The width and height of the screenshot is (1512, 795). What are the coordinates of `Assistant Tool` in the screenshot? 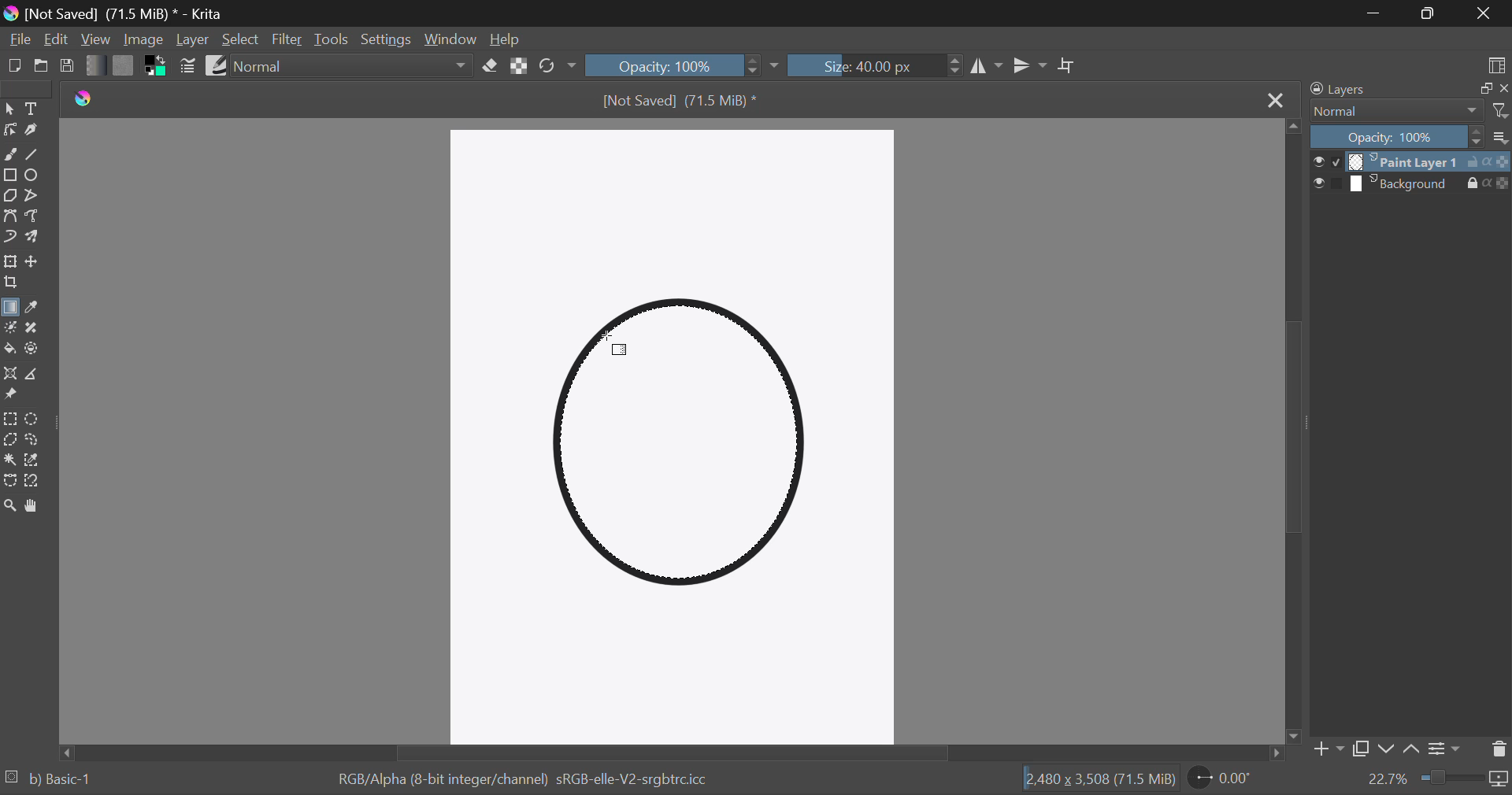 It's located at (10, 372).